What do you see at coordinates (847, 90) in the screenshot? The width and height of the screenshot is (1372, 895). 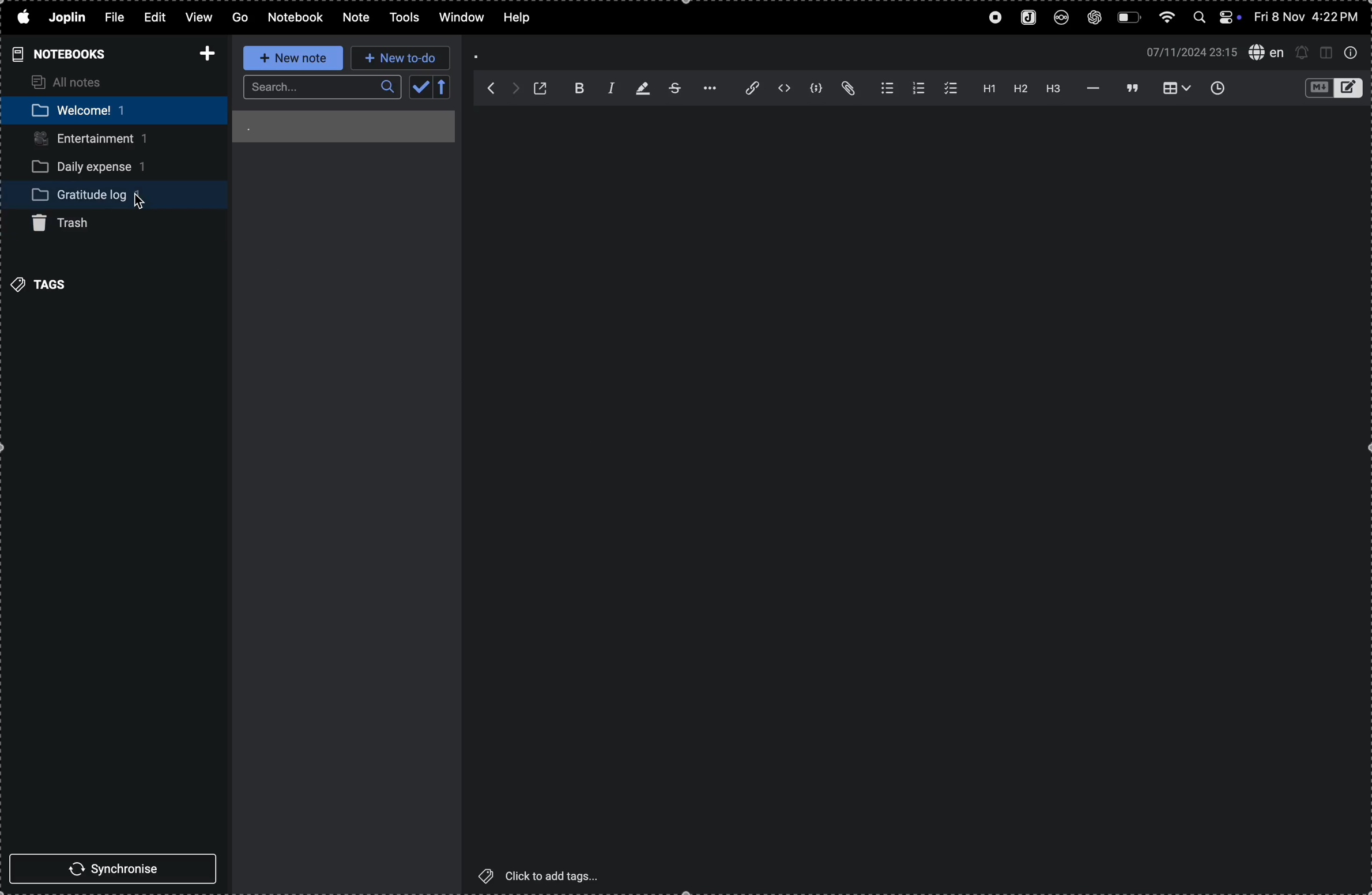 I see `attach file` at bounding box center [847, 90].